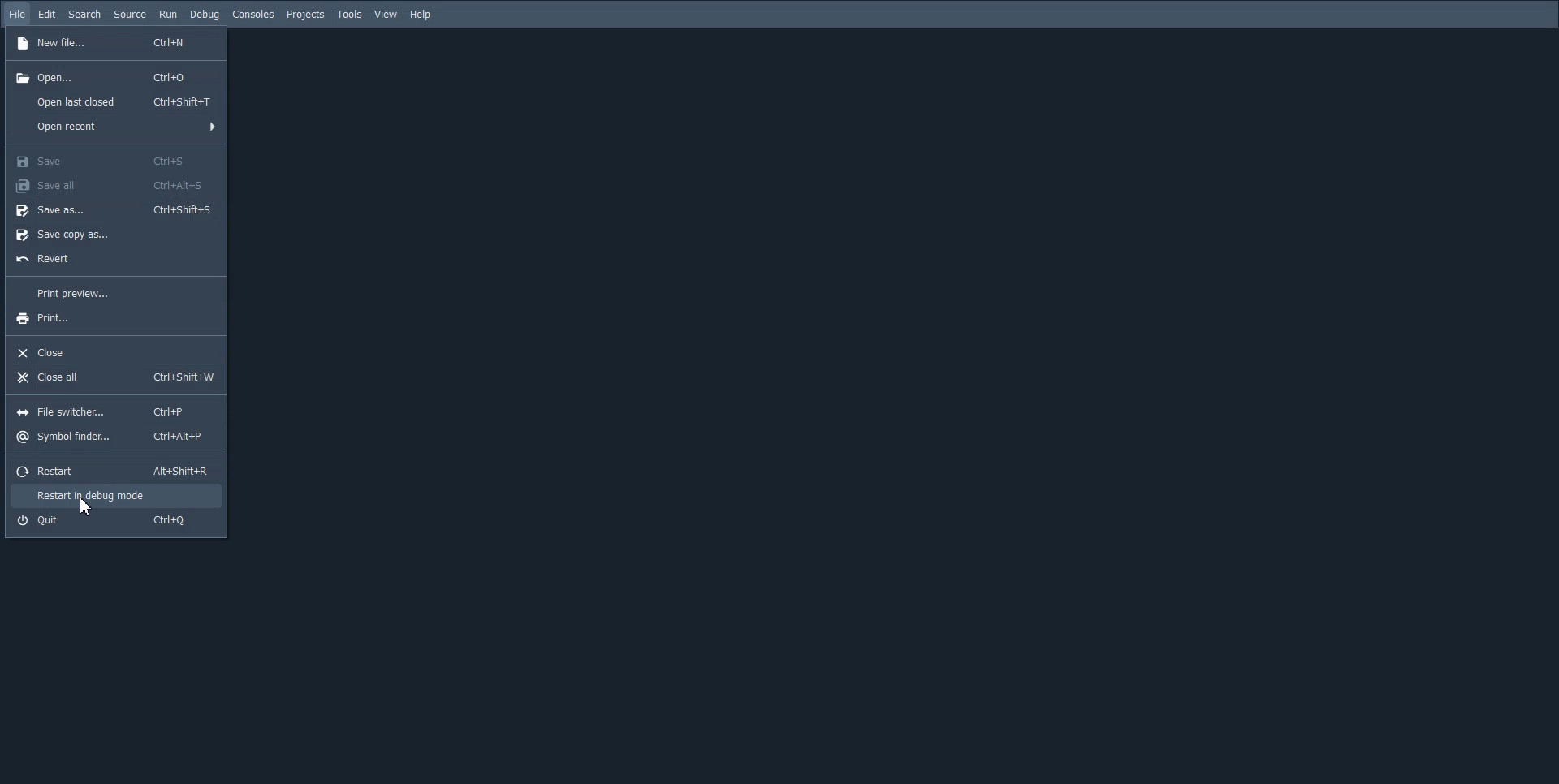  Describe the element at coordinates (113, 233) in the screenshot. I see `Save copy as` at that location.